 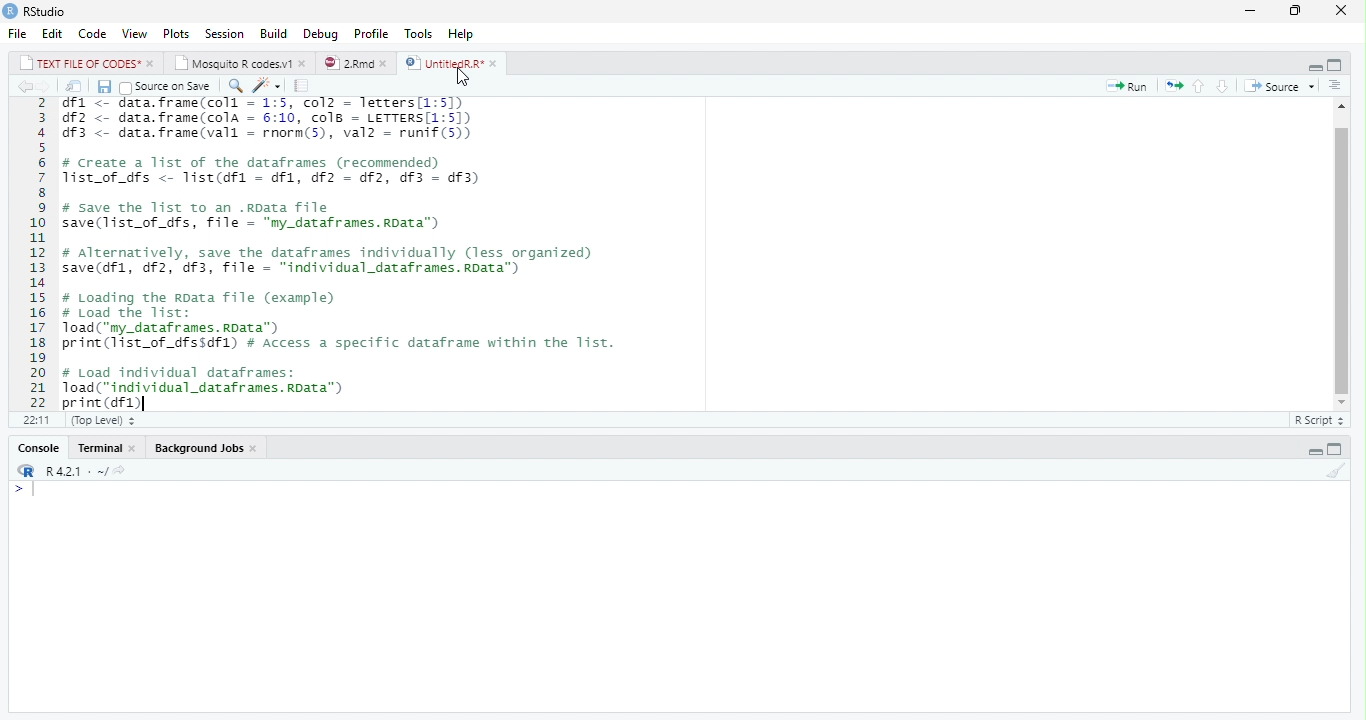 I want to click on Console, so click(x=680, y=597).